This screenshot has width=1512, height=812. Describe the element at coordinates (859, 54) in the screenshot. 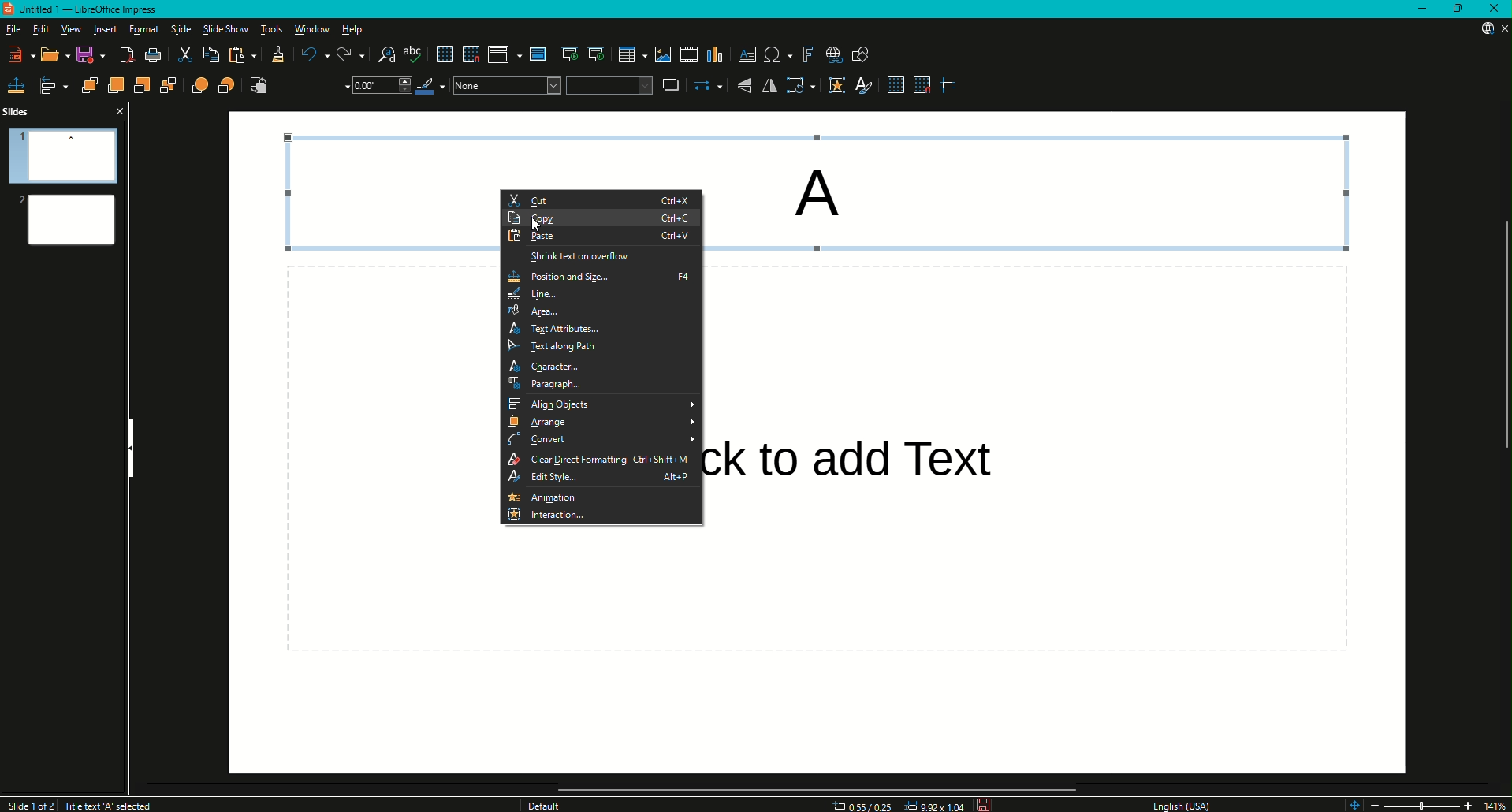

I see `Show Draw Function` at that location.